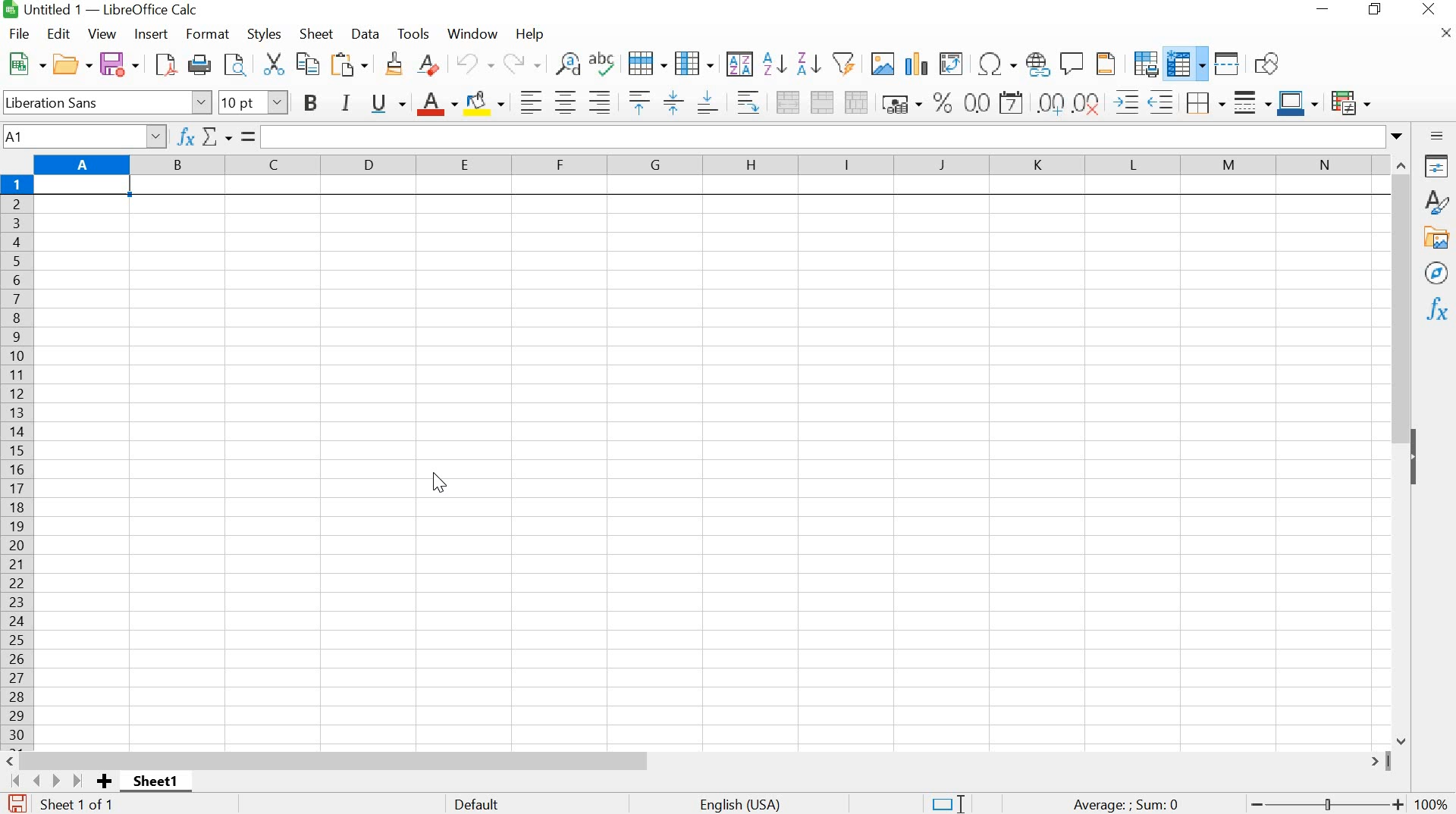  What do you see at coordinates (1436, 311) in the screenshot?
I see `FUNCTIONS` at bounding box center [1436, 311].